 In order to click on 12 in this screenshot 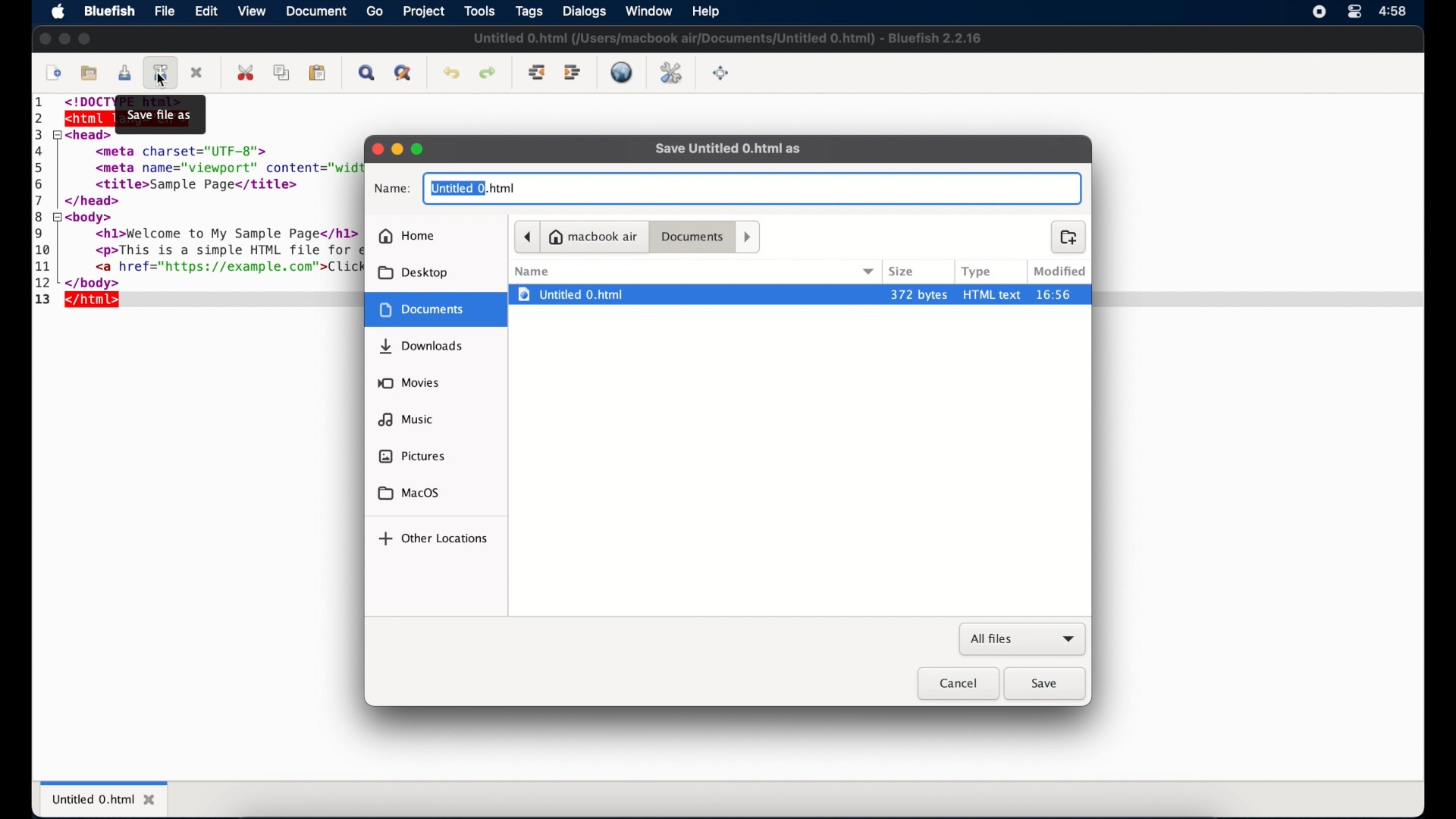, I will do `click(45, 283)`.